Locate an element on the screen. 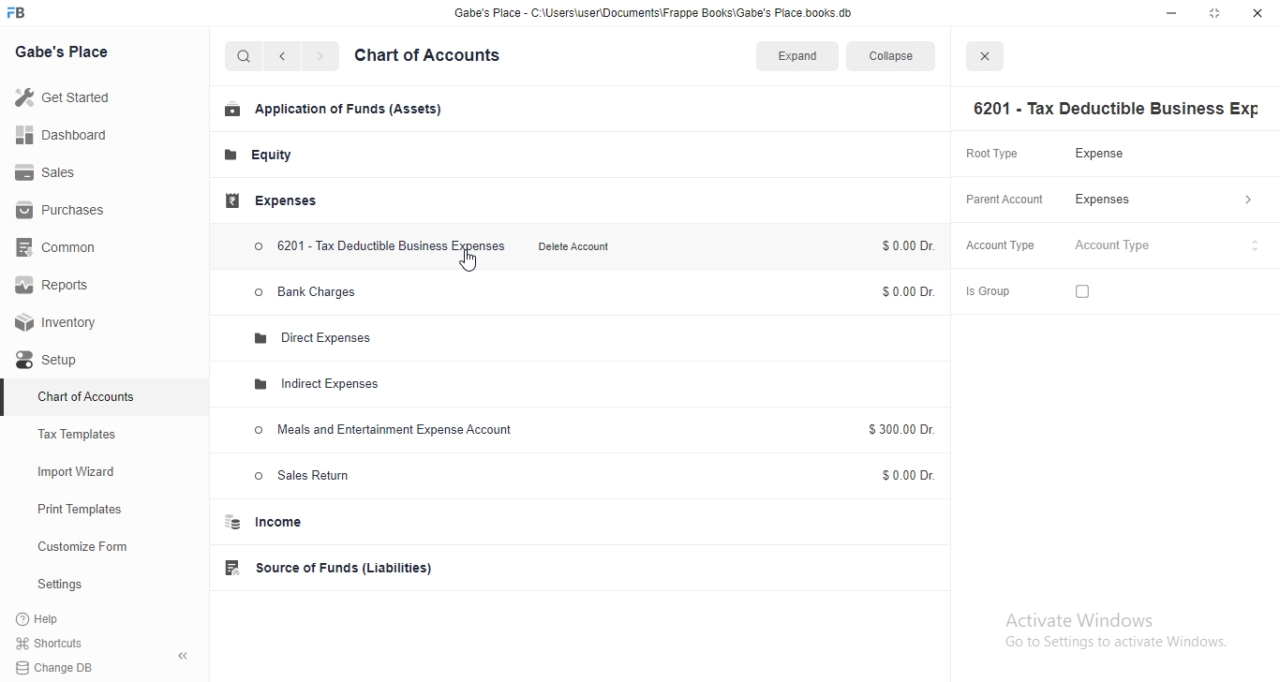 This screenshot has height=682, width=1280. Expense is located at coordinates (1103, 150).